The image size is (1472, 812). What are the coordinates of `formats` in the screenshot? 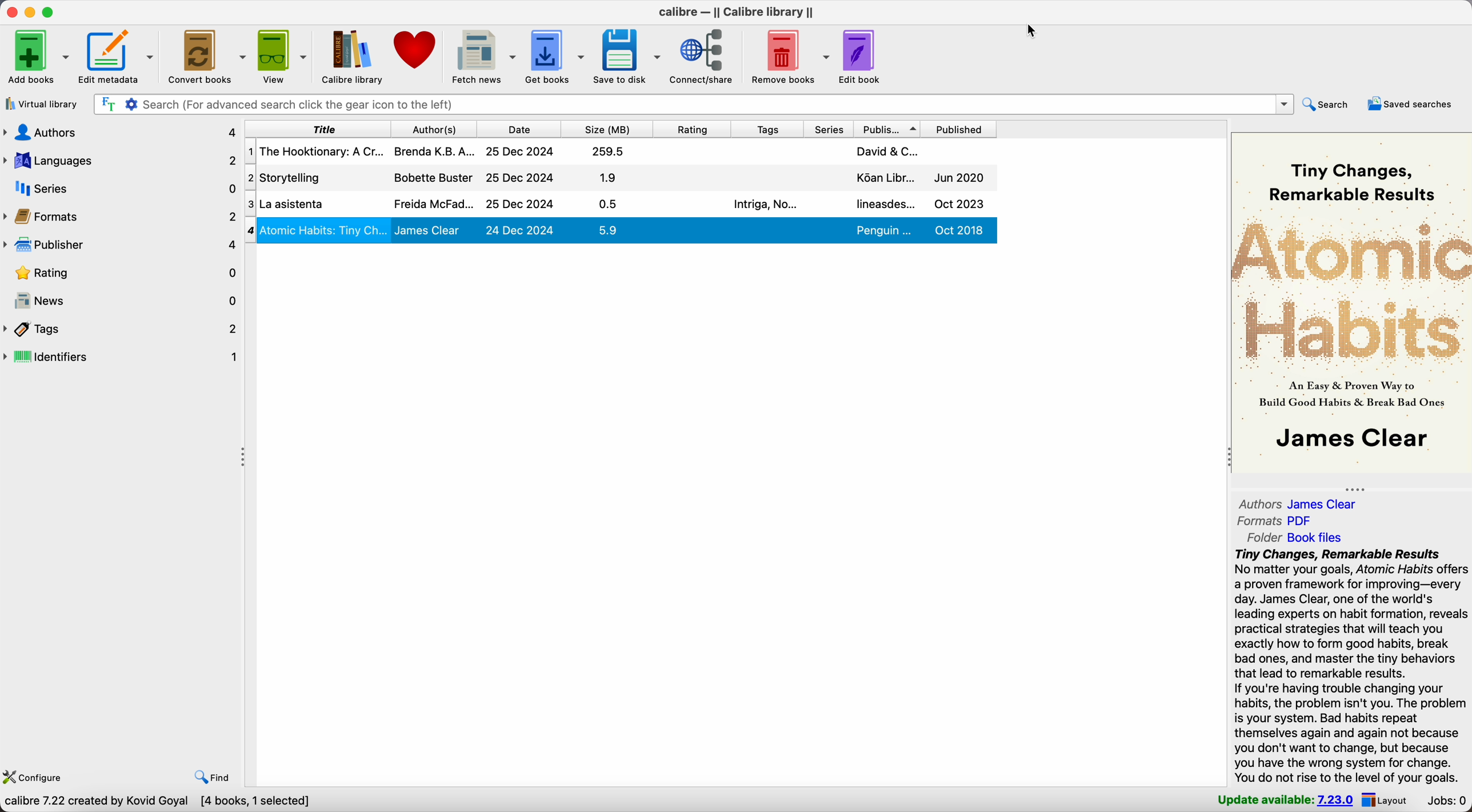 It's located at (119, 218).